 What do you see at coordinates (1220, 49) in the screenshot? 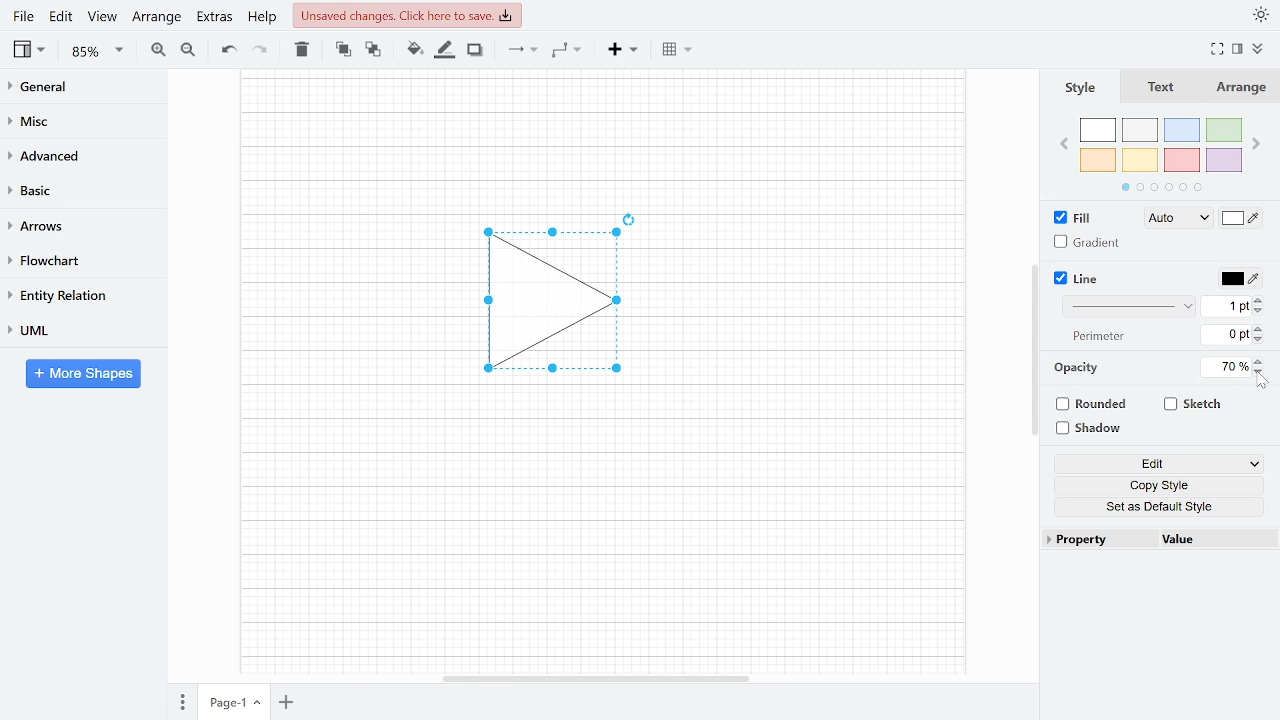
I see `Fullscreen` at bounding box center [1220, 49].